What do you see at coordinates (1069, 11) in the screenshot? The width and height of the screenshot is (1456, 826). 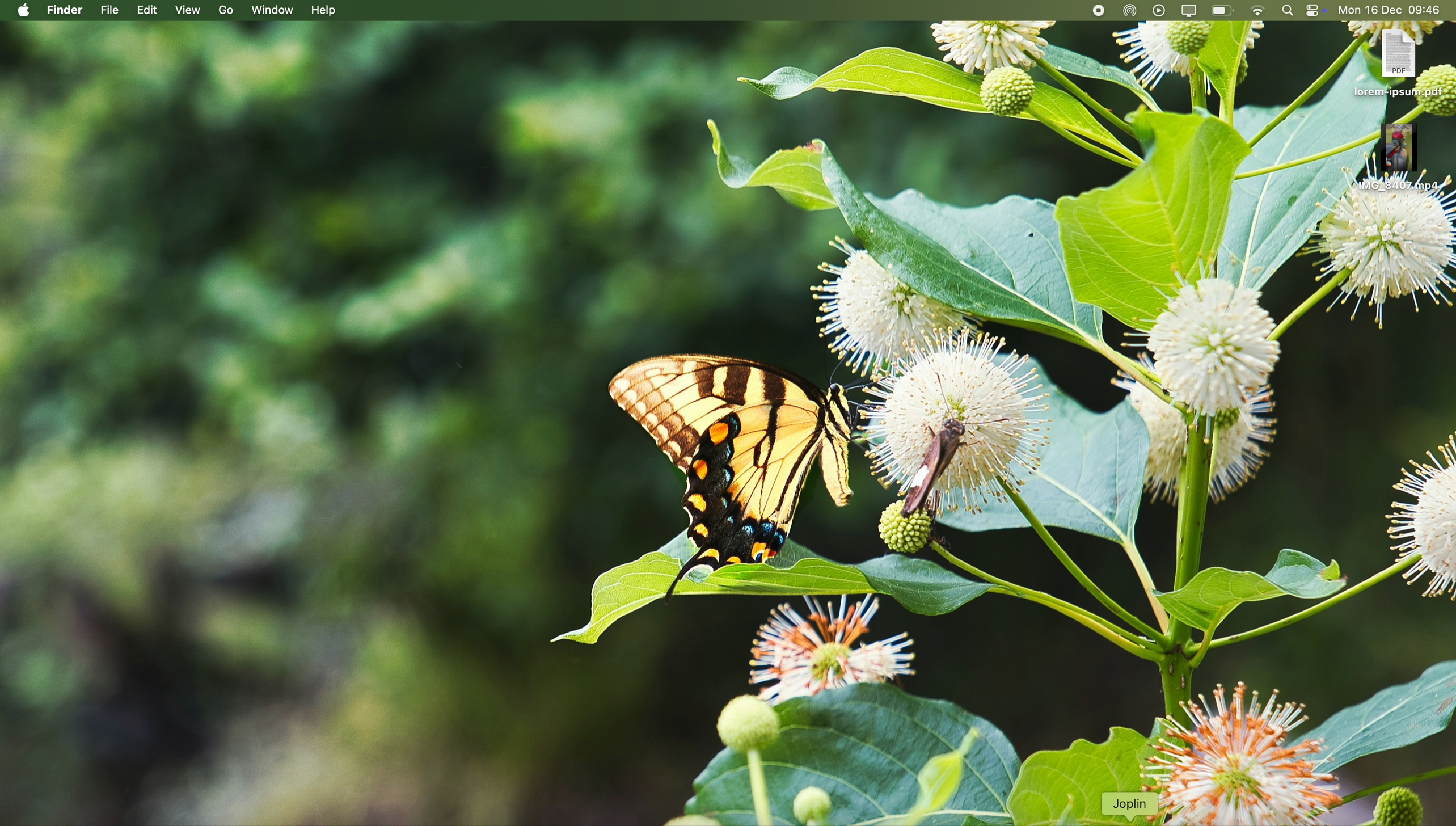 I see `stop recording` at bounding box center [1069, 11].